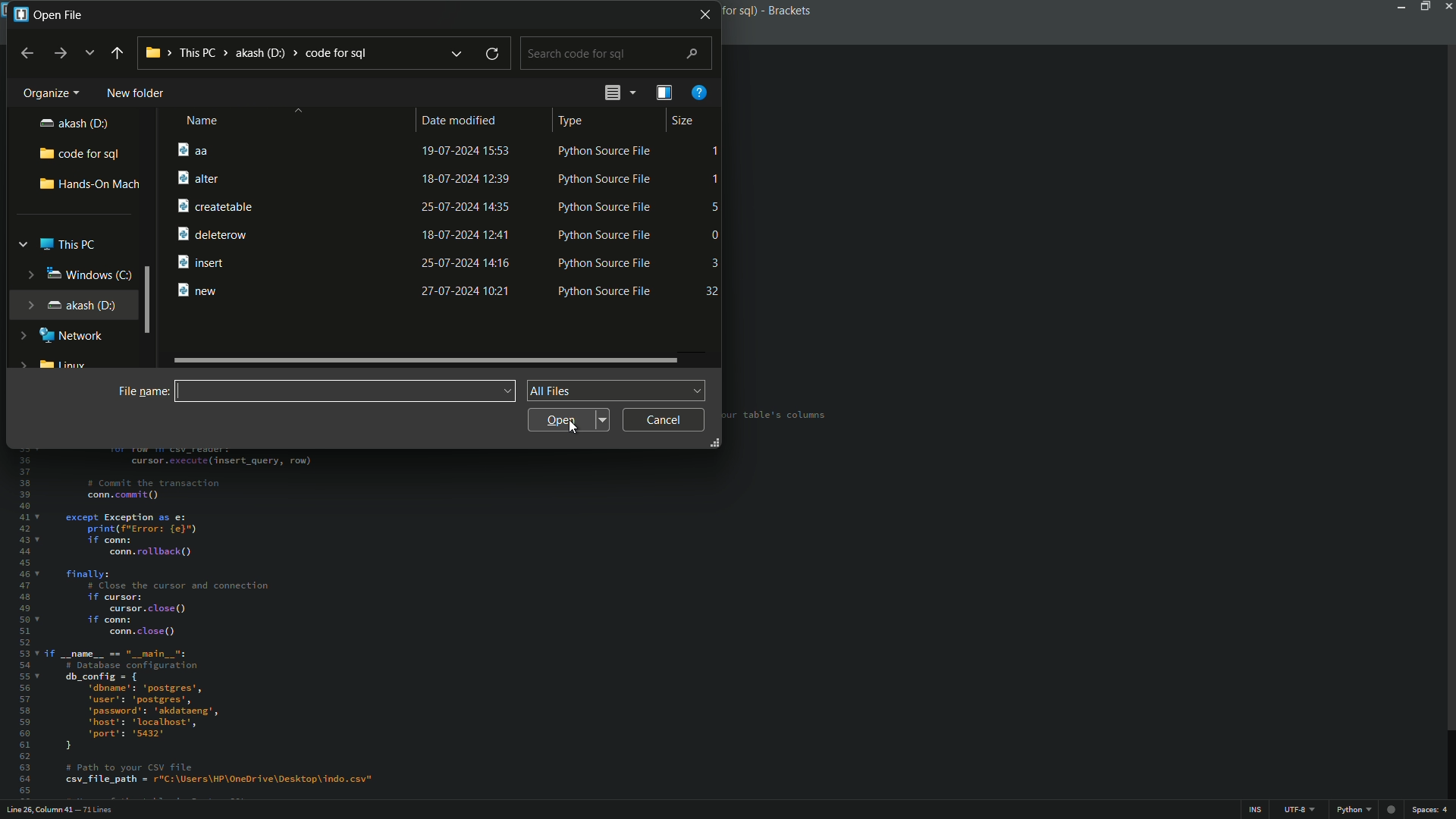  What do you see at coordinates (256, 53) in the screenshot?
I see `location` at bounding box center [256, 53].